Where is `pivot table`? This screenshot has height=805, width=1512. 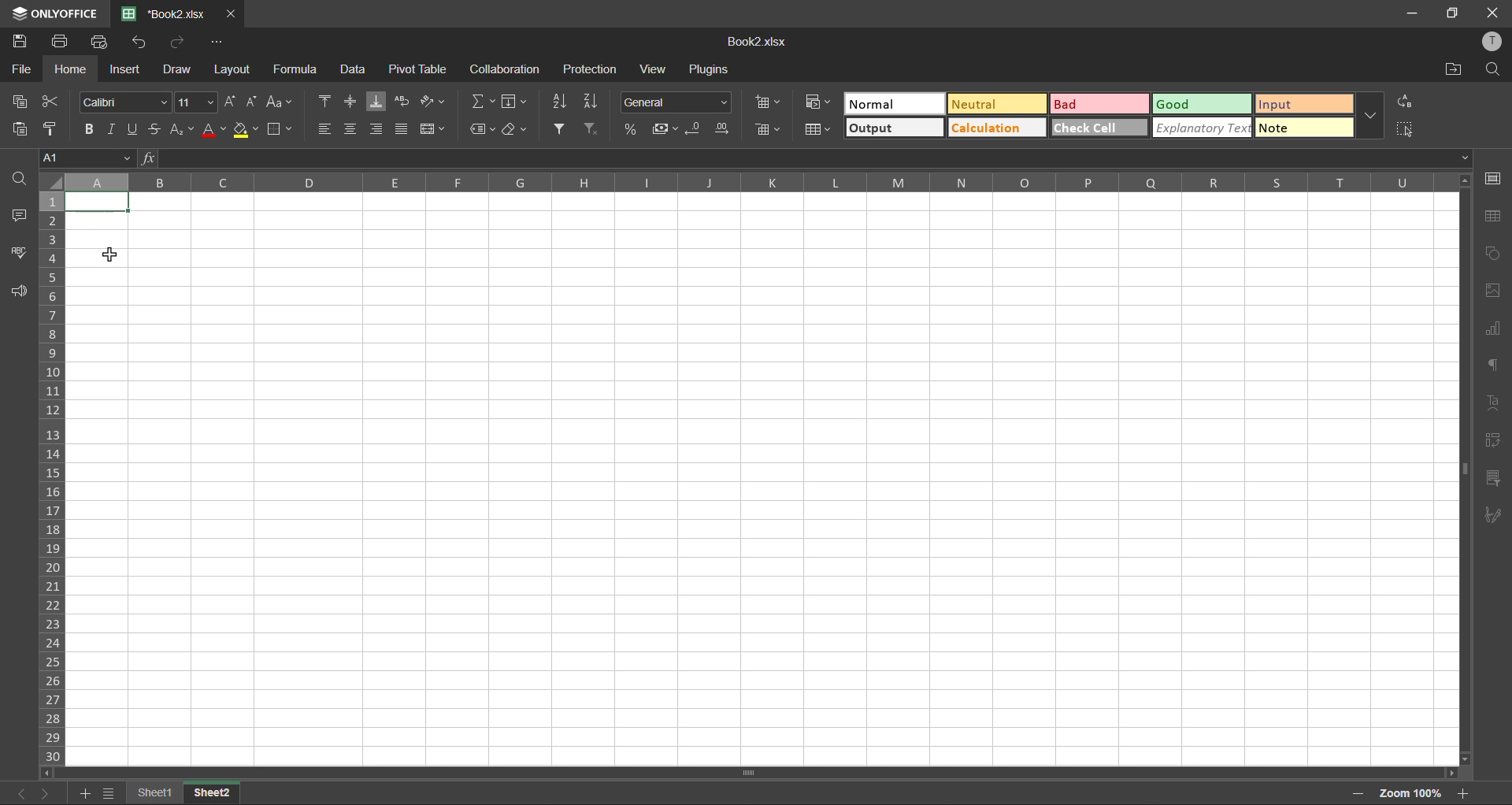 pivot table is located at coordinates (421, 69).